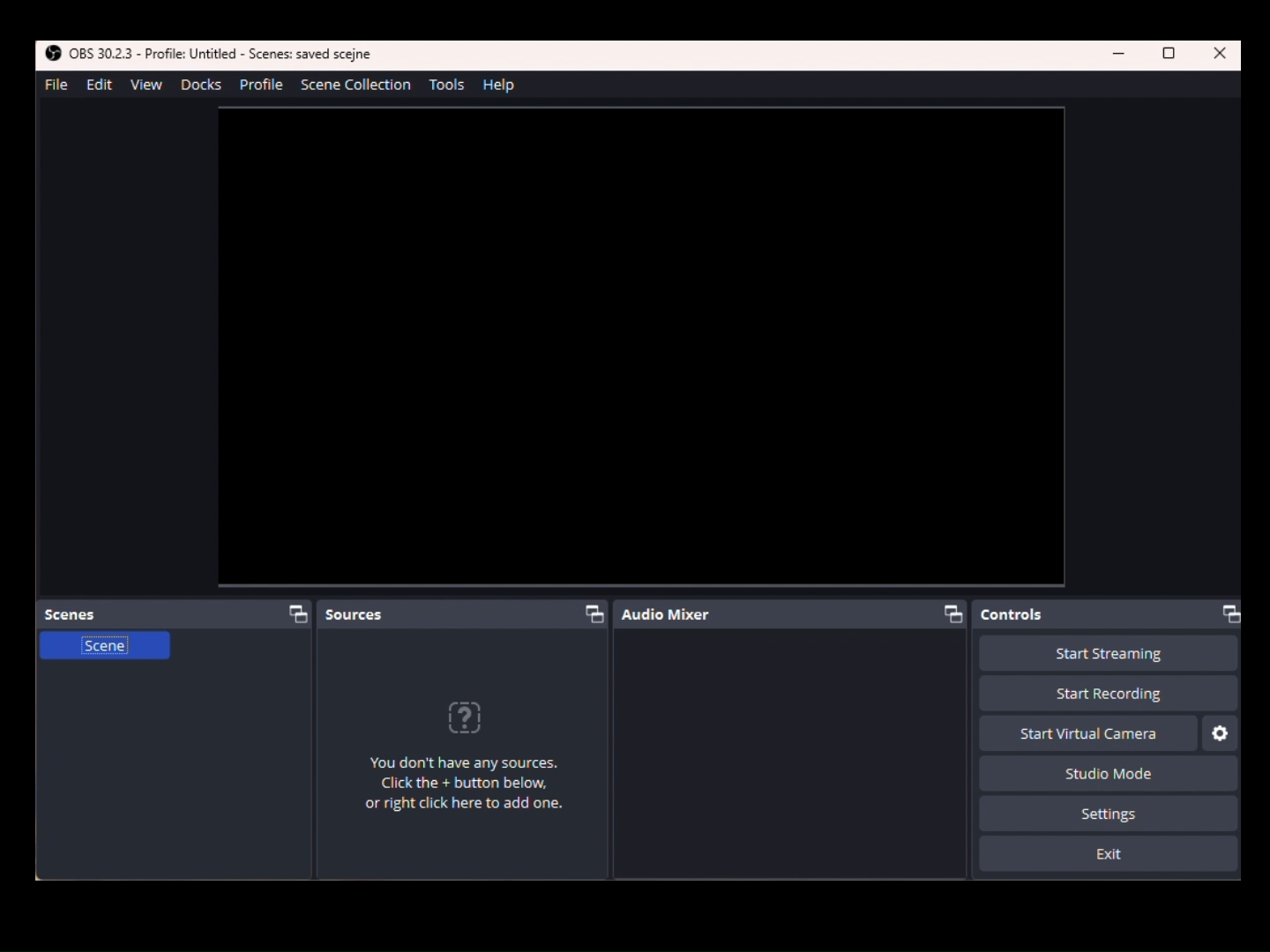  I want to click on Scene, so click(103, 652).